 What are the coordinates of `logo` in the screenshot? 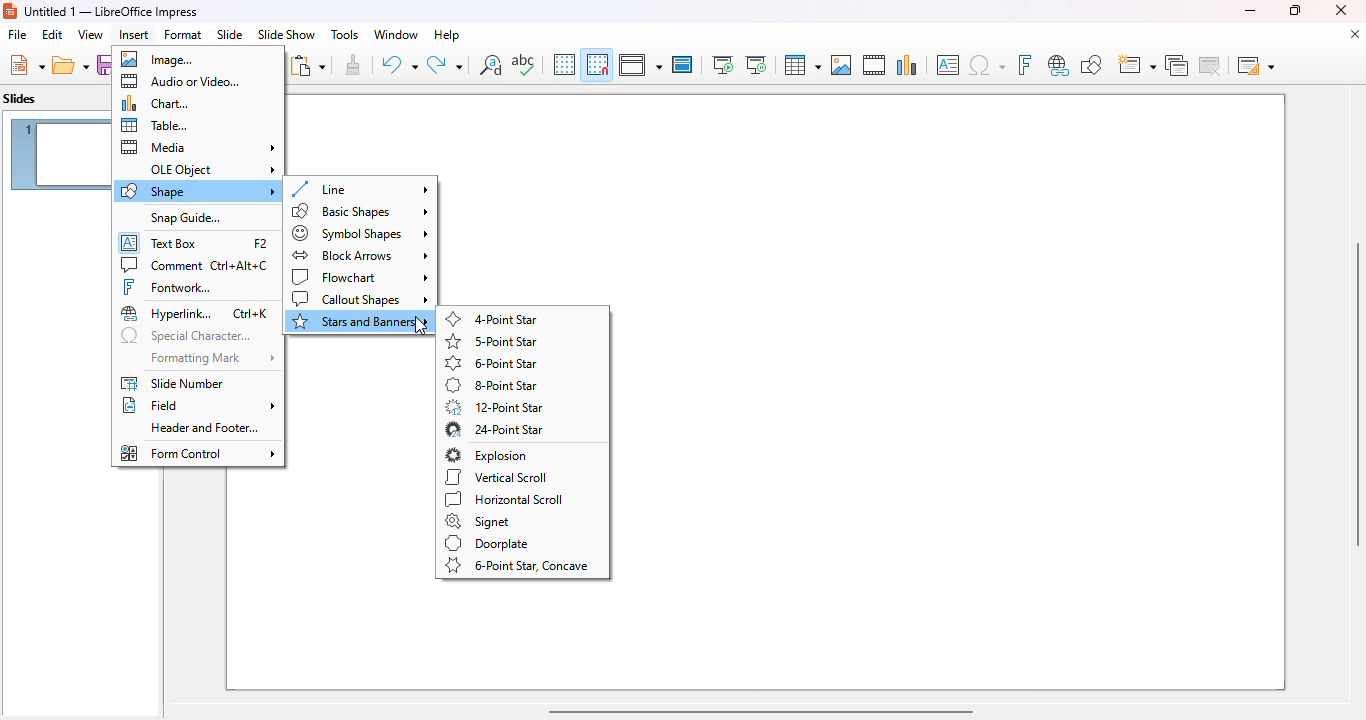 It's located at (10, 11).